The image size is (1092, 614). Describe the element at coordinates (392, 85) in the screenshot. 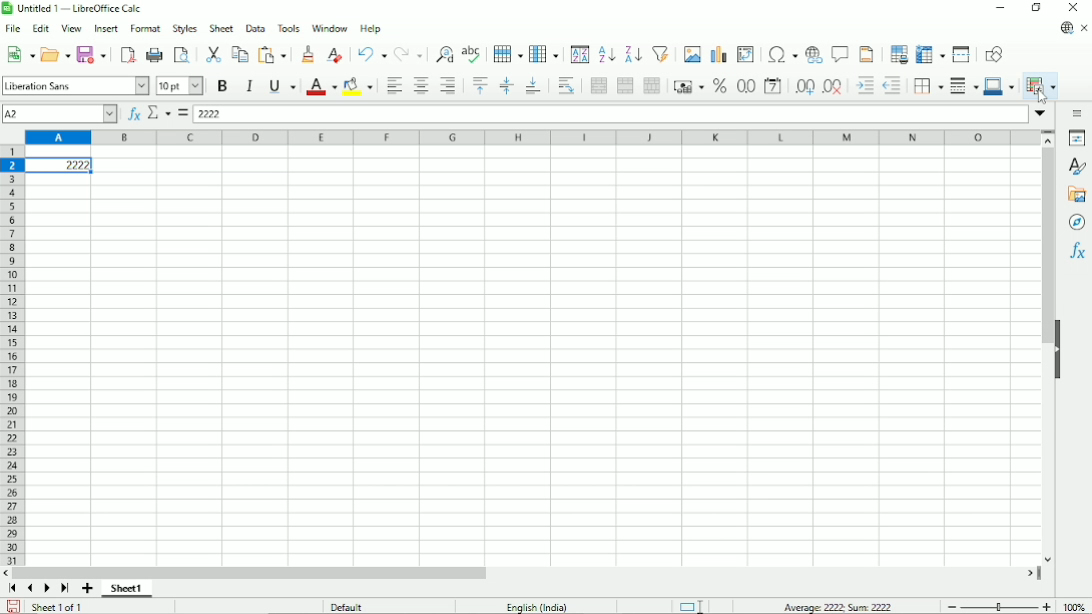

I see `Align left` at that location.